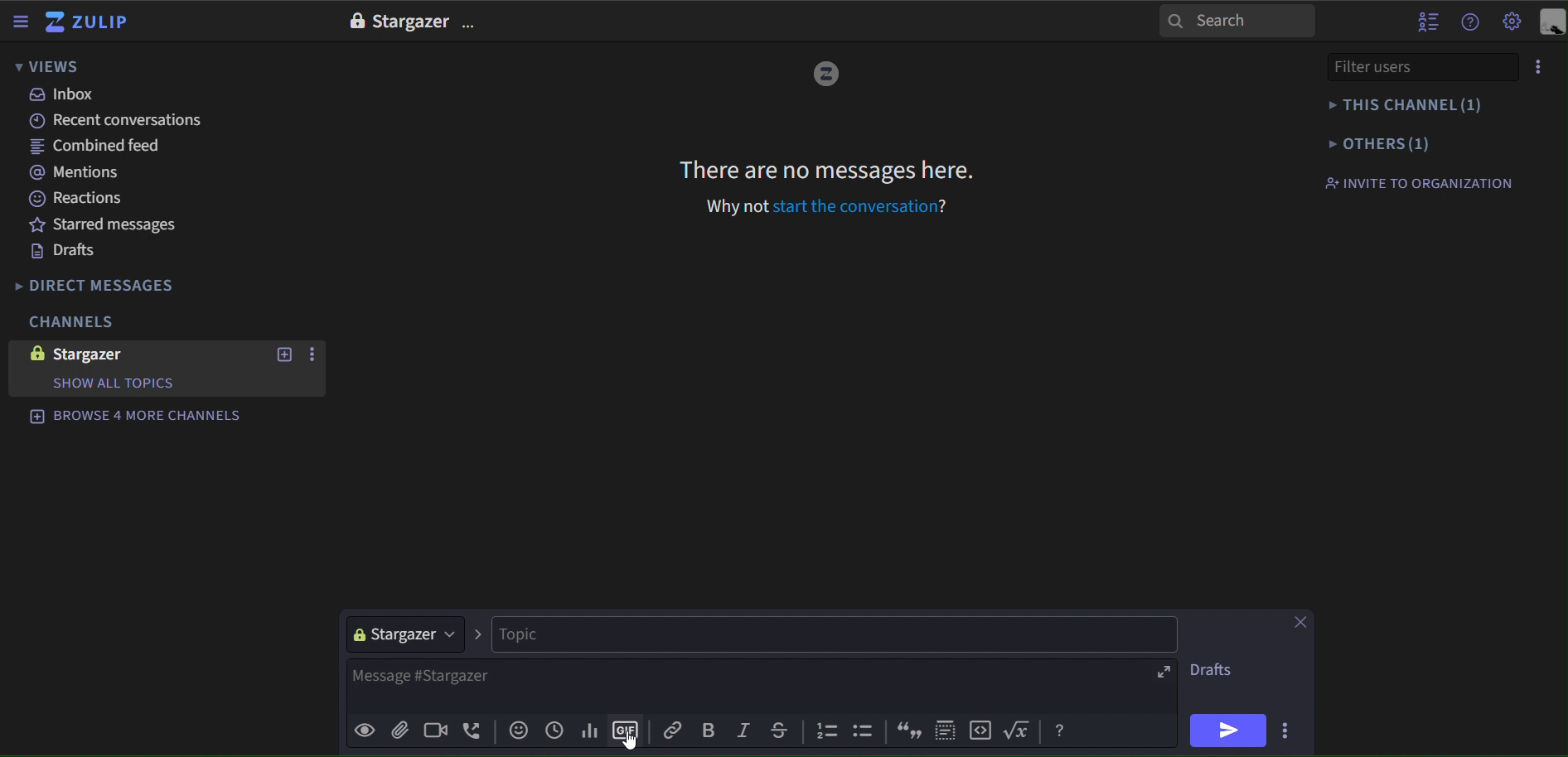 Image resolution: width=1568 pixels, height=757 pixels. Describe the element at coordinates (1512, 23) in the screenshot. I see `settings` at that location.